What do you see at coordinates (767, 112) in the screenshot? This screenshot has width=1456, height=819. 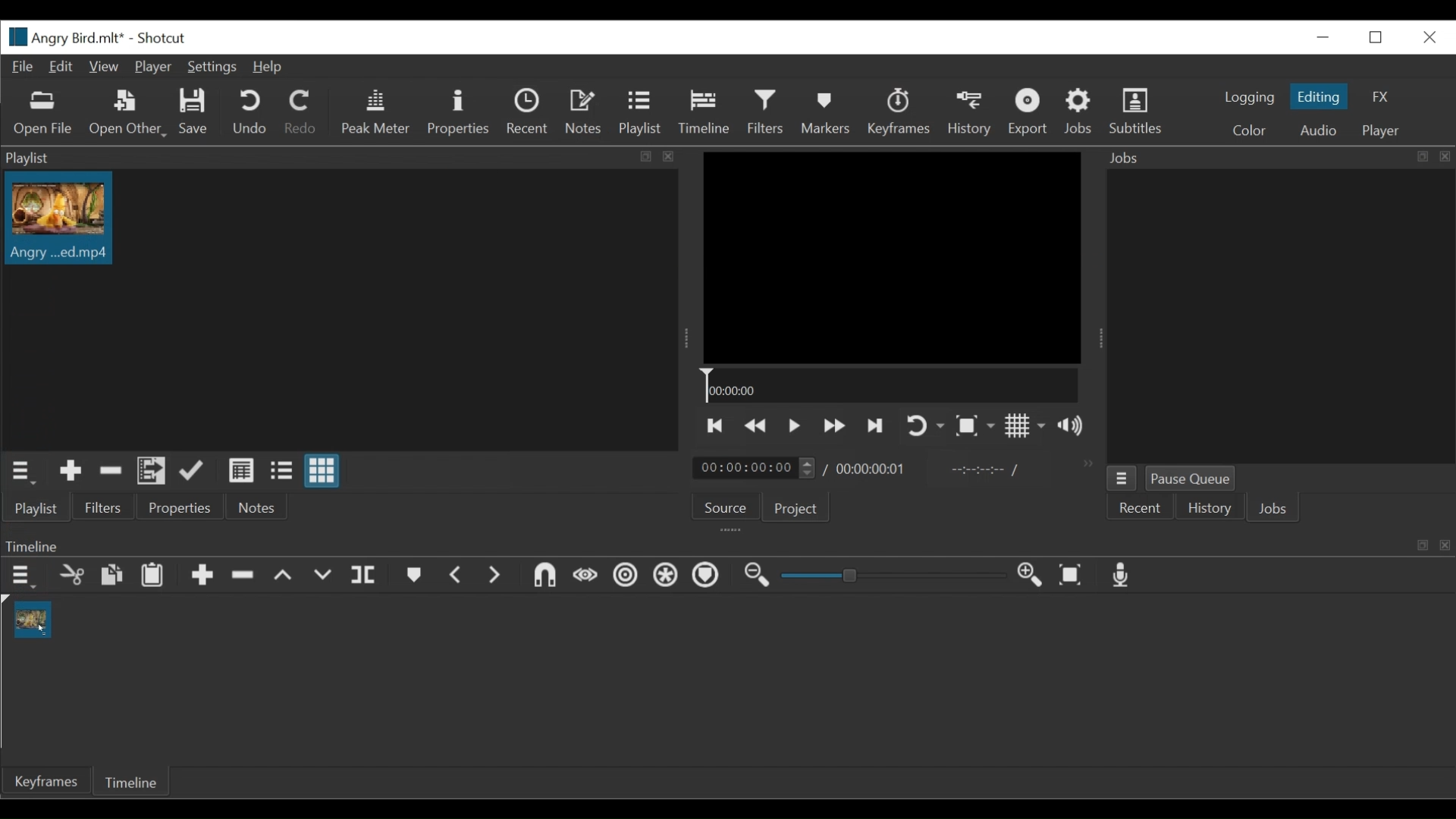 I see `Filters` at bounding box center [767, 112].